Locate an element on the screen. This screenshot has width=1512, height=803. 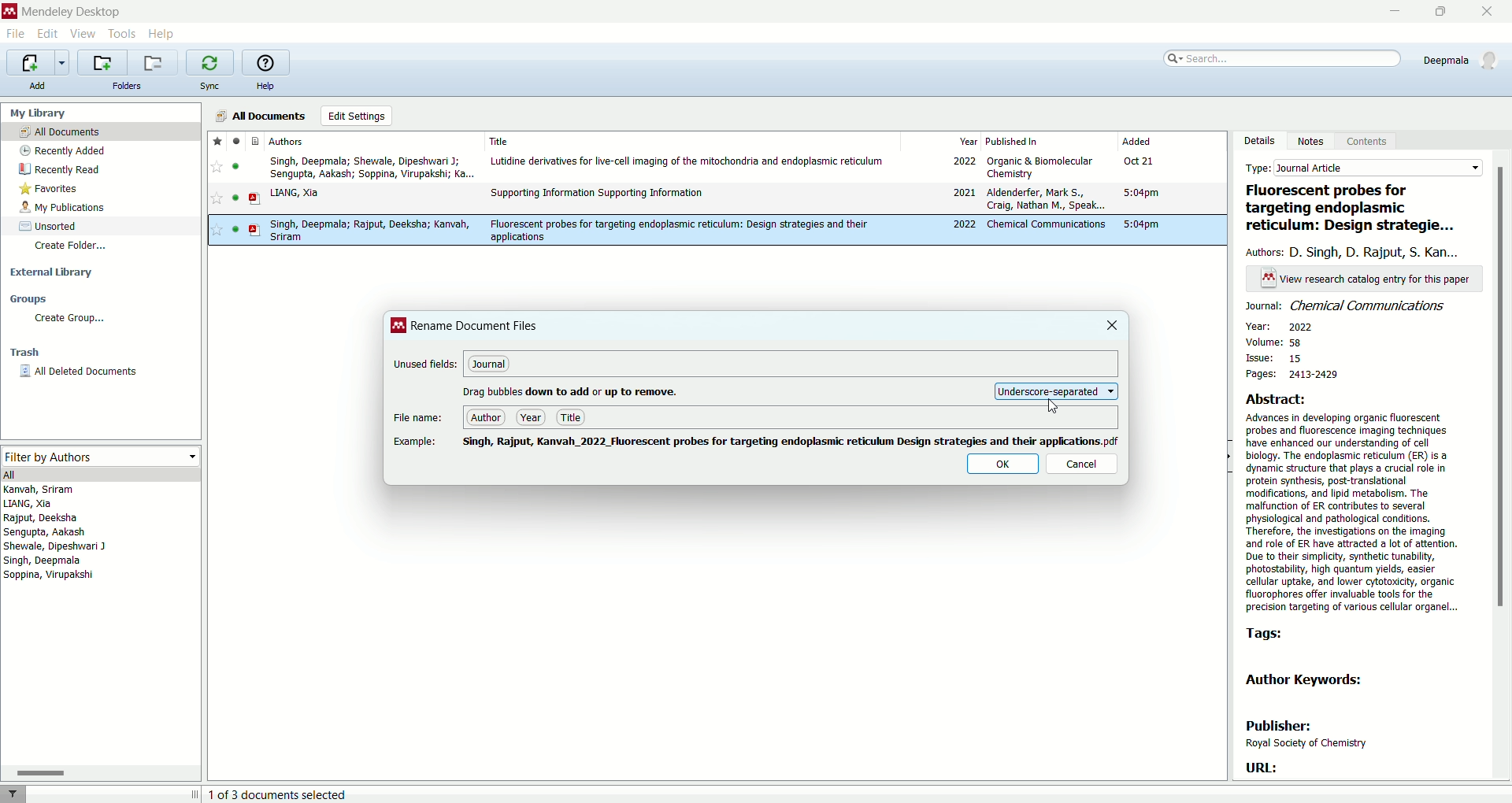
synchronize the library with mendeley web is located at coordinates (210, 62).